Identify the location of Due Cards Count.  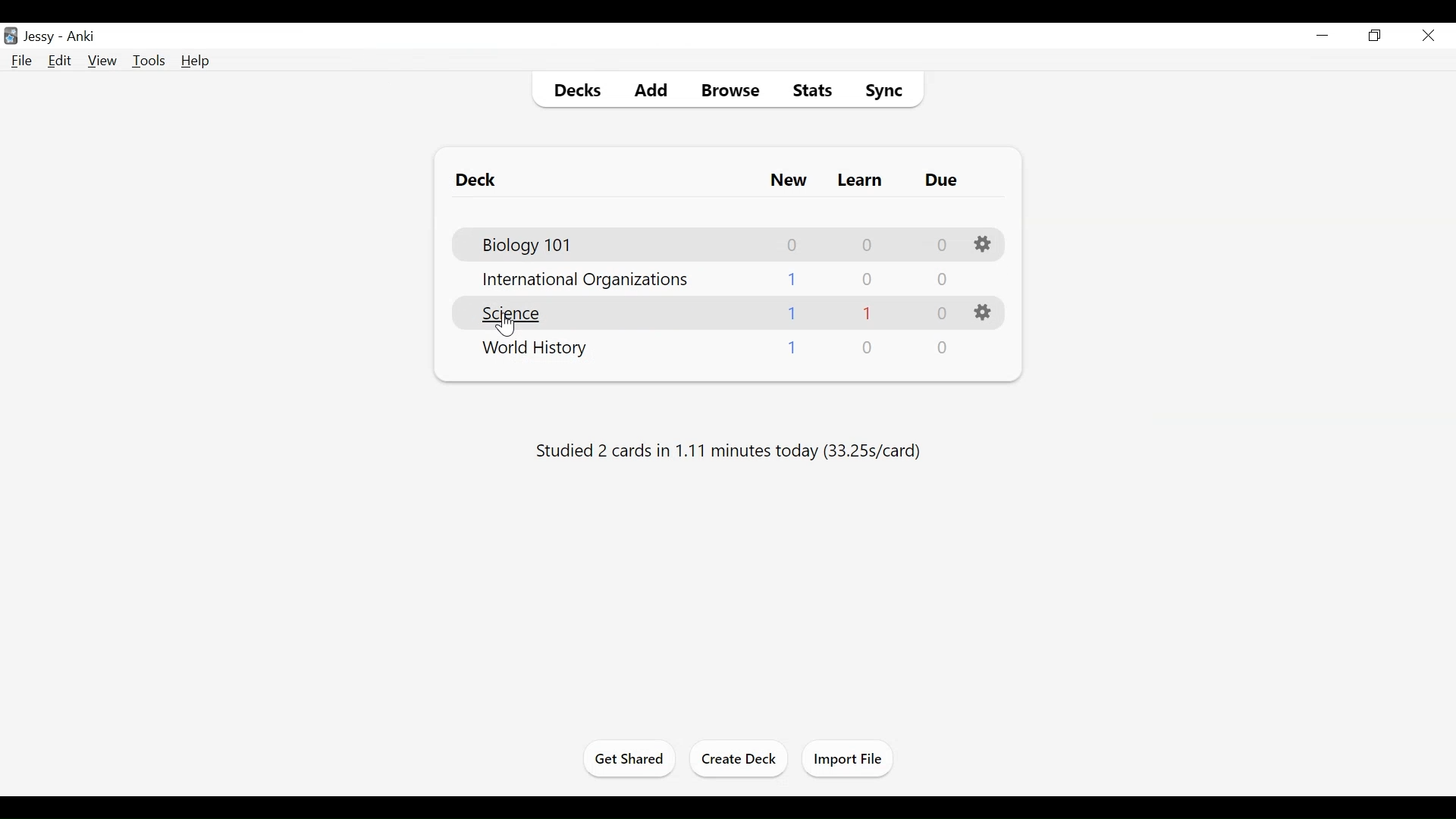
(941, 313).